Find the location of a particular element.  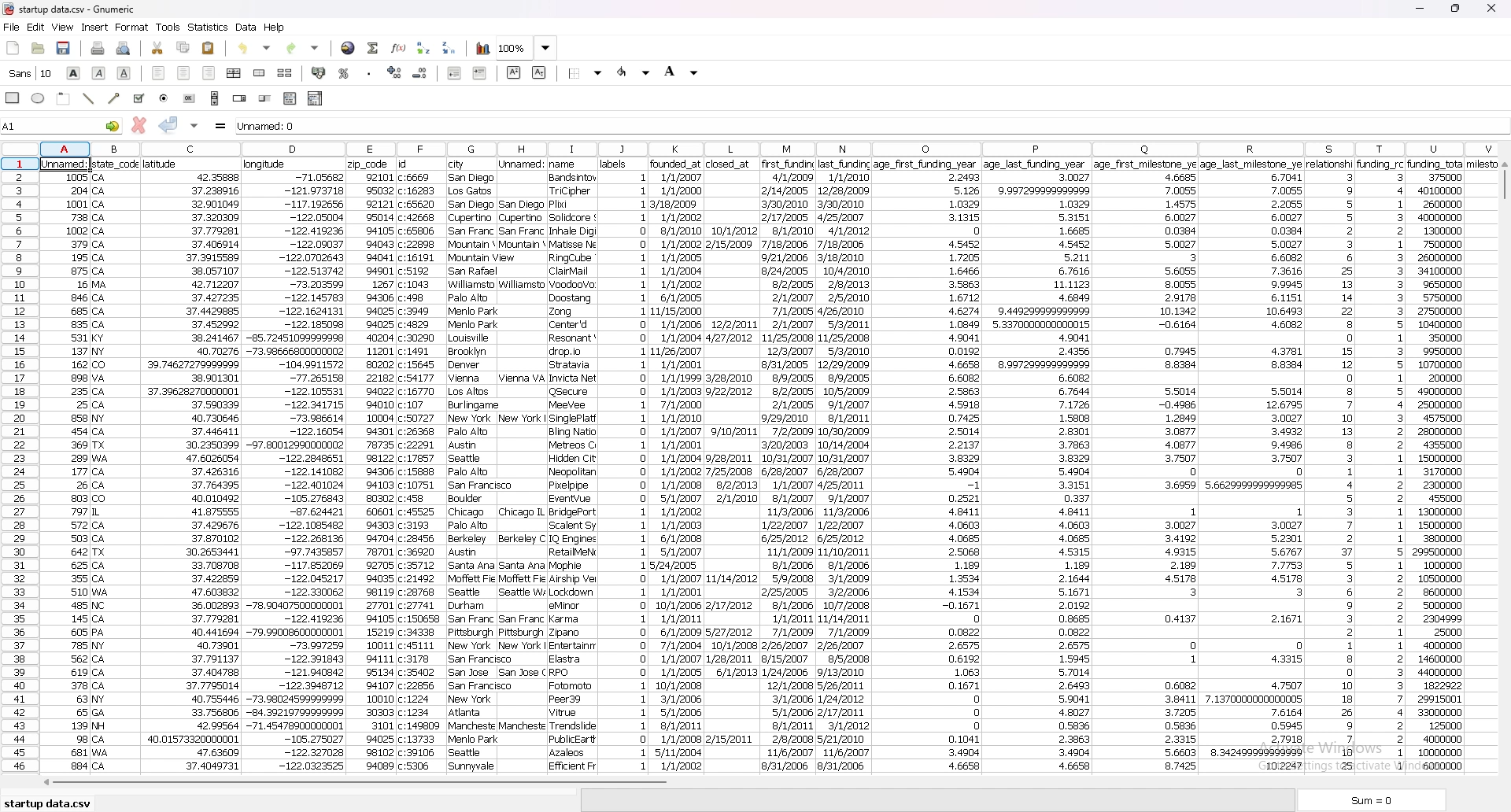

border is located at coordinates (586, 72).